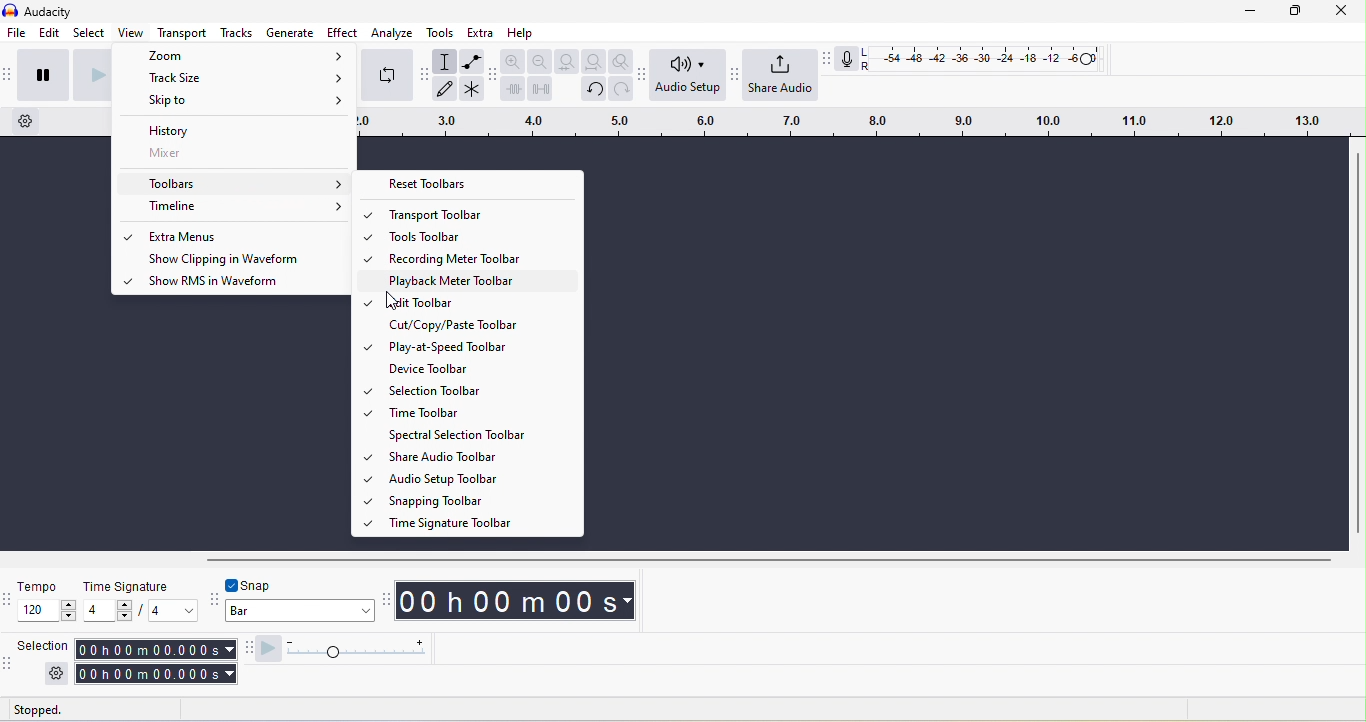 Image resolution: width=1366 pixels, height=722 pixels. I want to click on zoom tool, so click(620, 61).